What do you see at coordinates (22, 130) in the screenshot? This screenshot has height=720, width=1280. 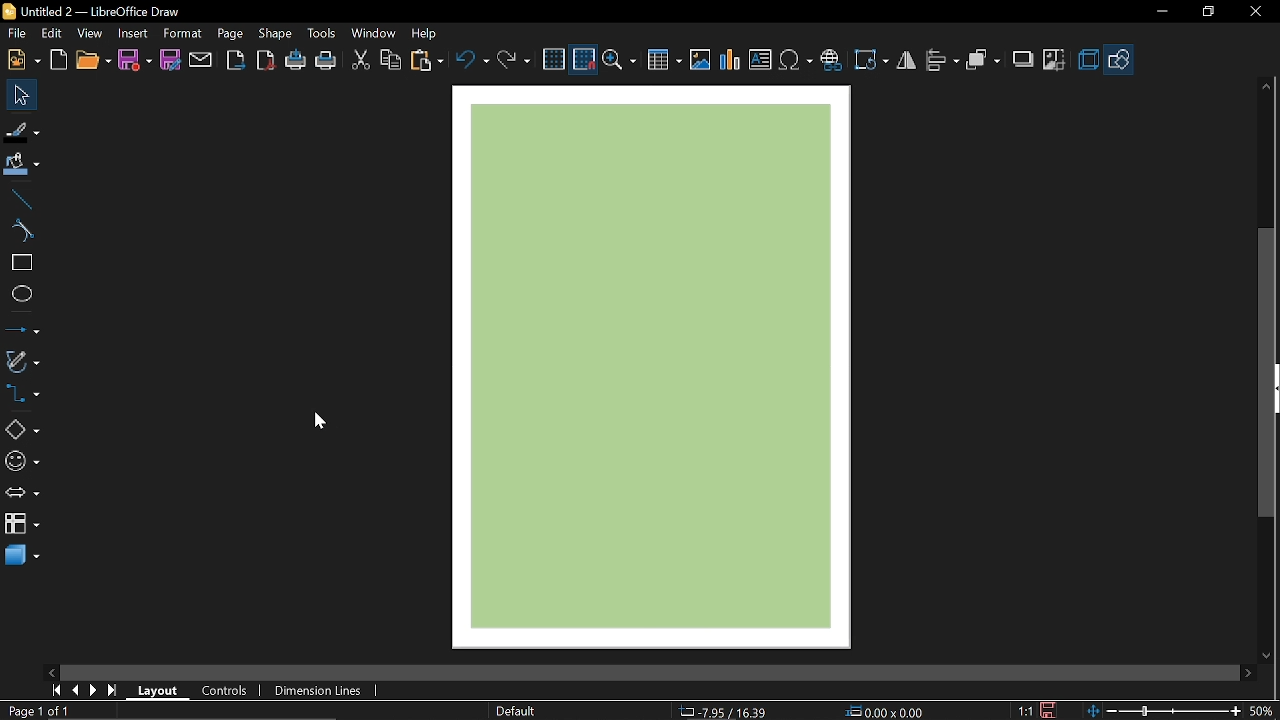 I see `Fill line` at bounding box center [22, 130].